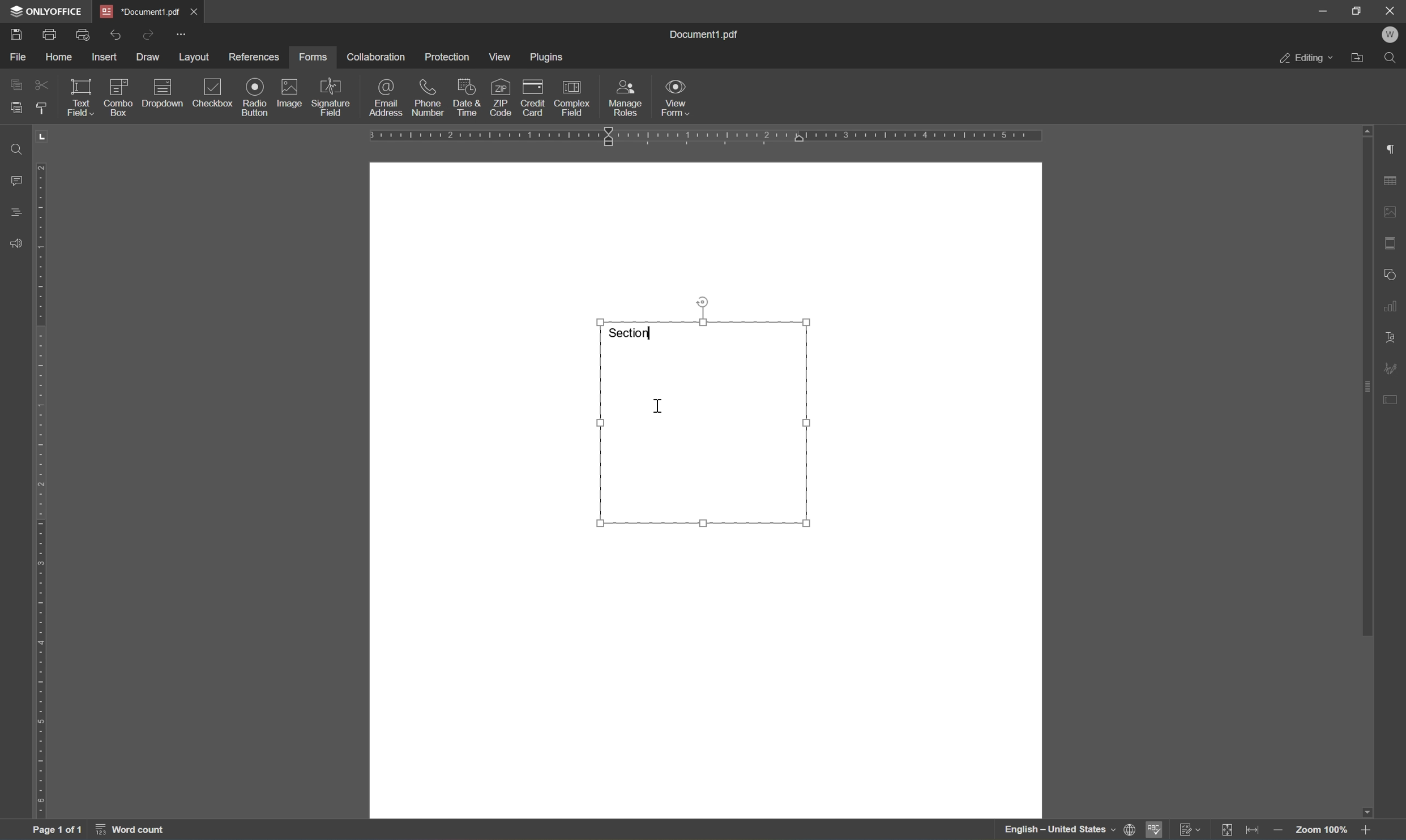 The image size is (1406, 840). Describe the element at coordinates (1394, 368) in the screenshot. I see `signature settings` at that location.